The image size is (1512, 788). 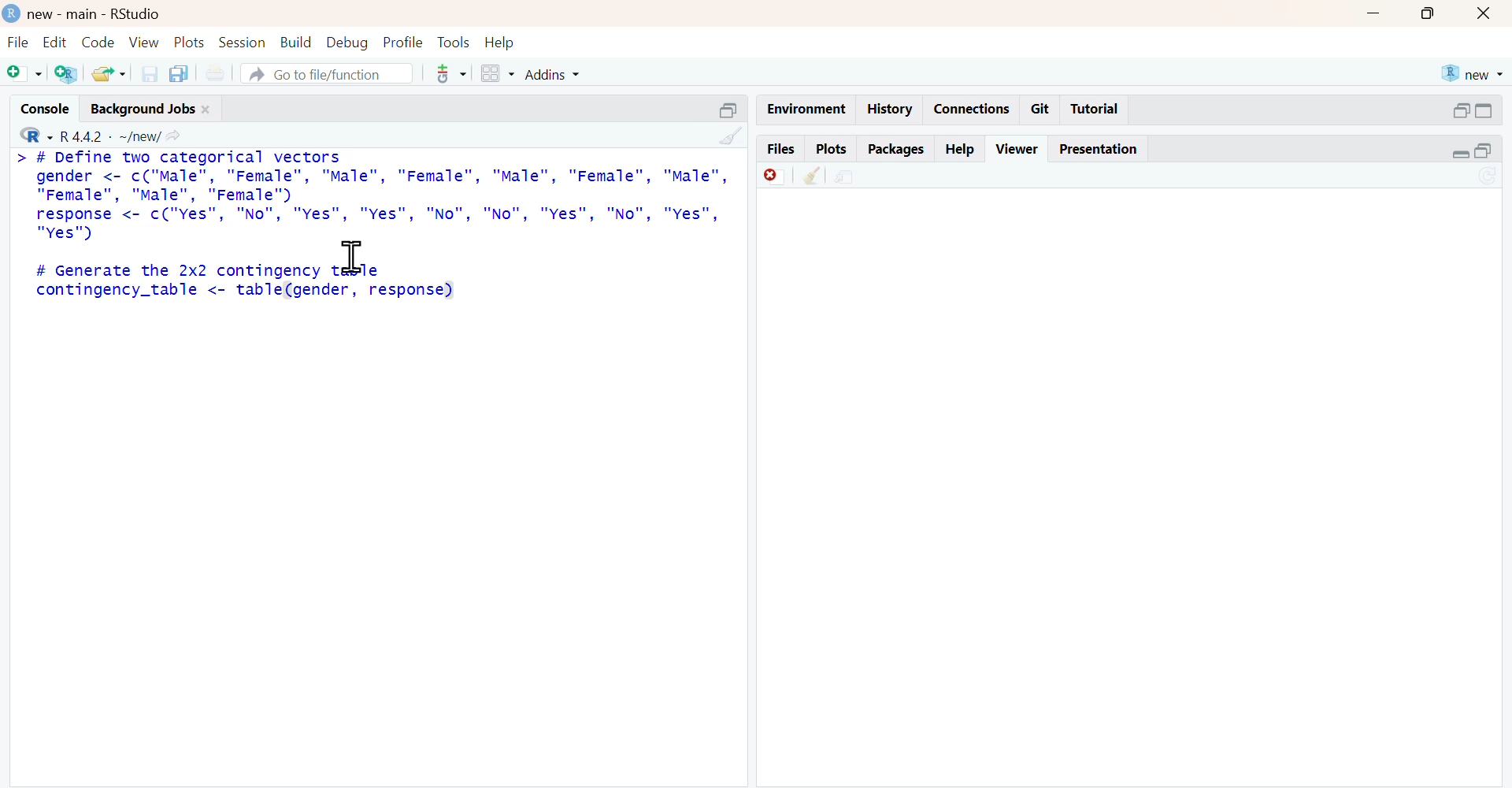 I want to click on build, so click(x=297, y=42).